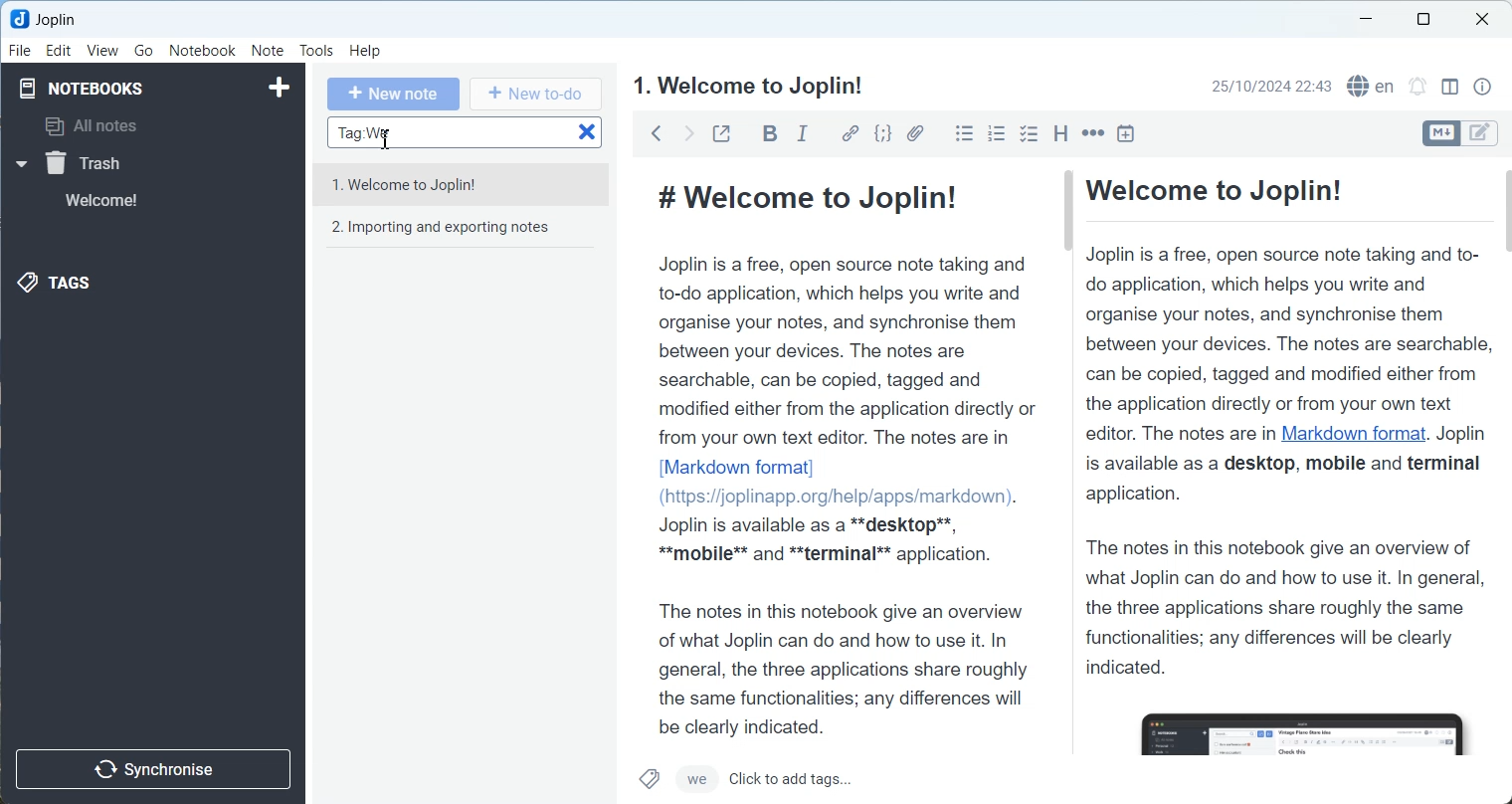 This screenshot has height=804, width=1512. What do you see at coordinates (203, 50) in the screenshot?
I see `Notebook` at bounding box center [203, 50].